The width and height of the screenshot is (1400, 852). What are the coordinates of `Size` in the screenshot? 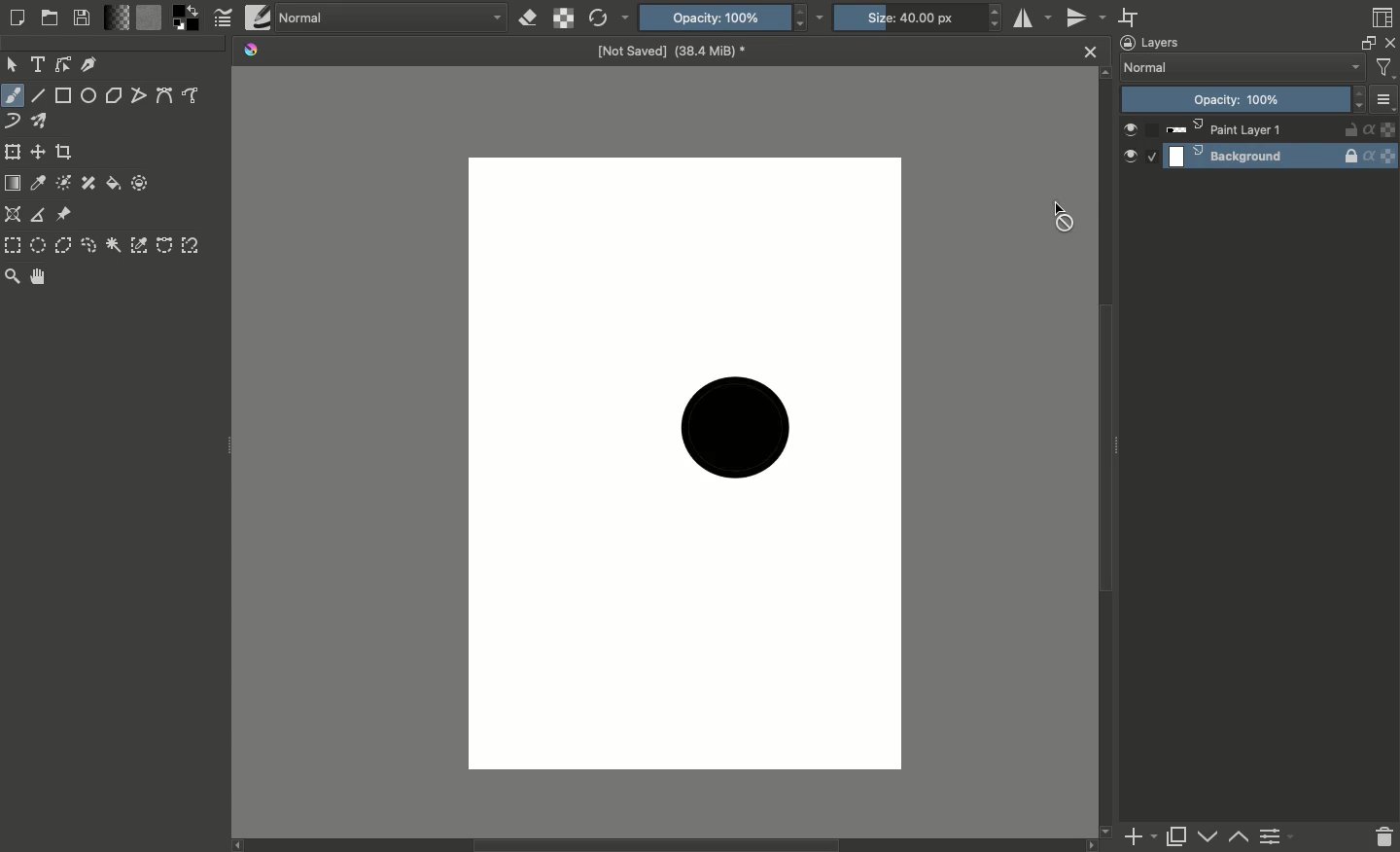 It's located at (910, 17).